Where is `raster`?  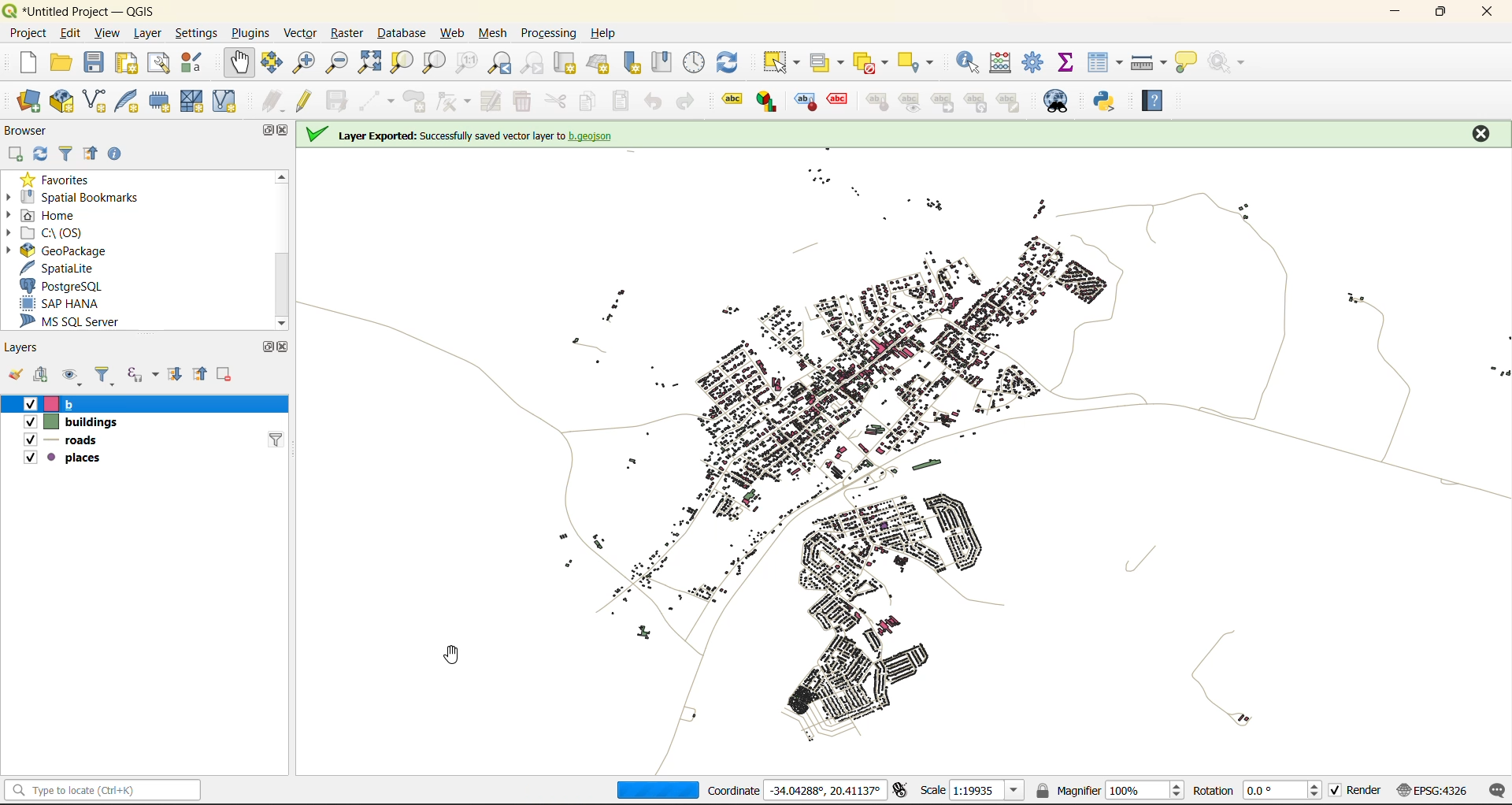
raster is located at coordinates (351, 33).